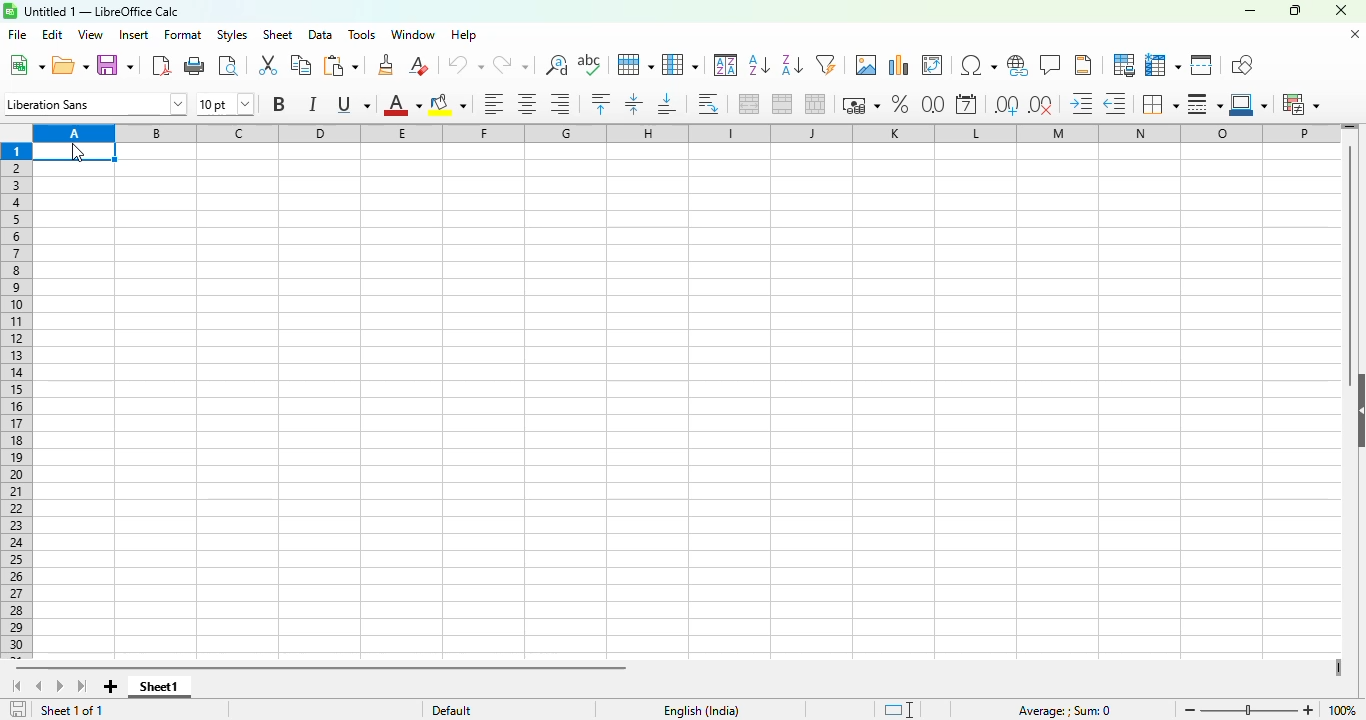 This screenshot has width=1366, height=720. What do you see at coordinates (1296, 10) in the screenshot?
I see `maximize` at bounding box center [1296, 10].